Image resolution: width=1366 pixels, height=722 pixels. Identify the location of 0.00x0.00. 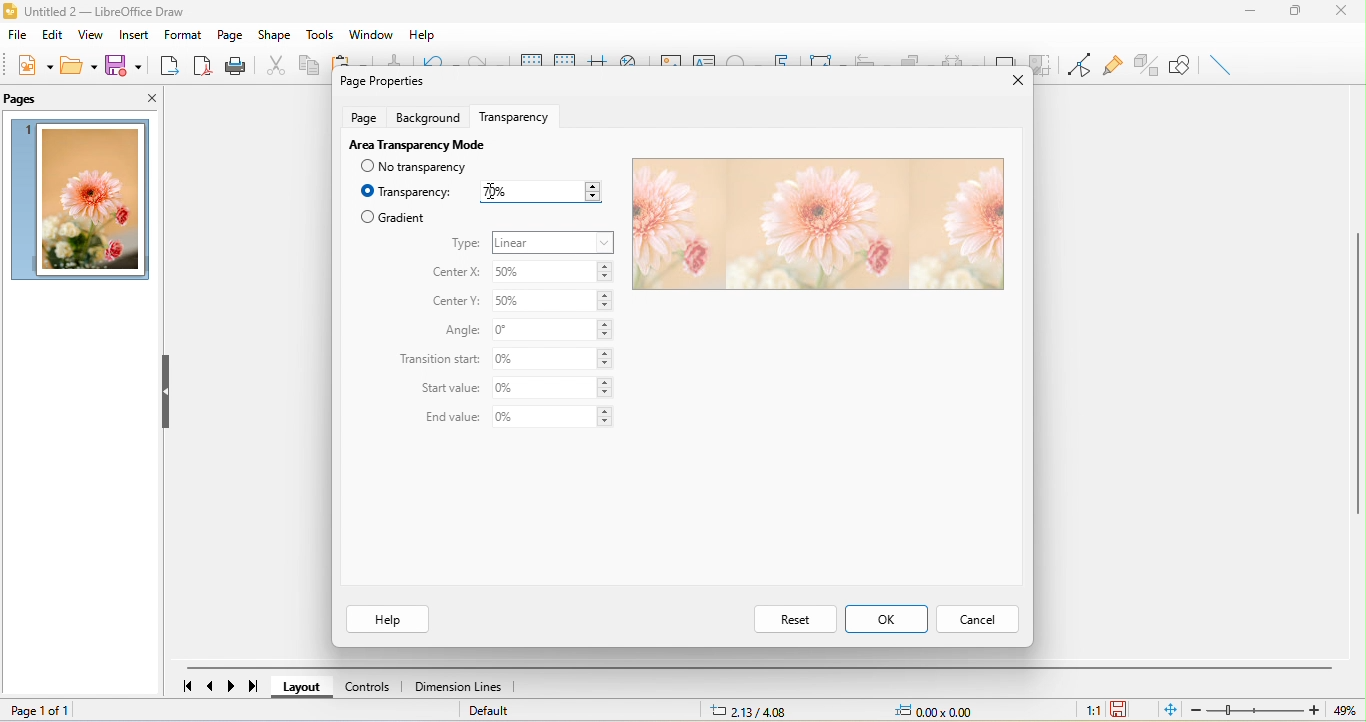
(943, 711).